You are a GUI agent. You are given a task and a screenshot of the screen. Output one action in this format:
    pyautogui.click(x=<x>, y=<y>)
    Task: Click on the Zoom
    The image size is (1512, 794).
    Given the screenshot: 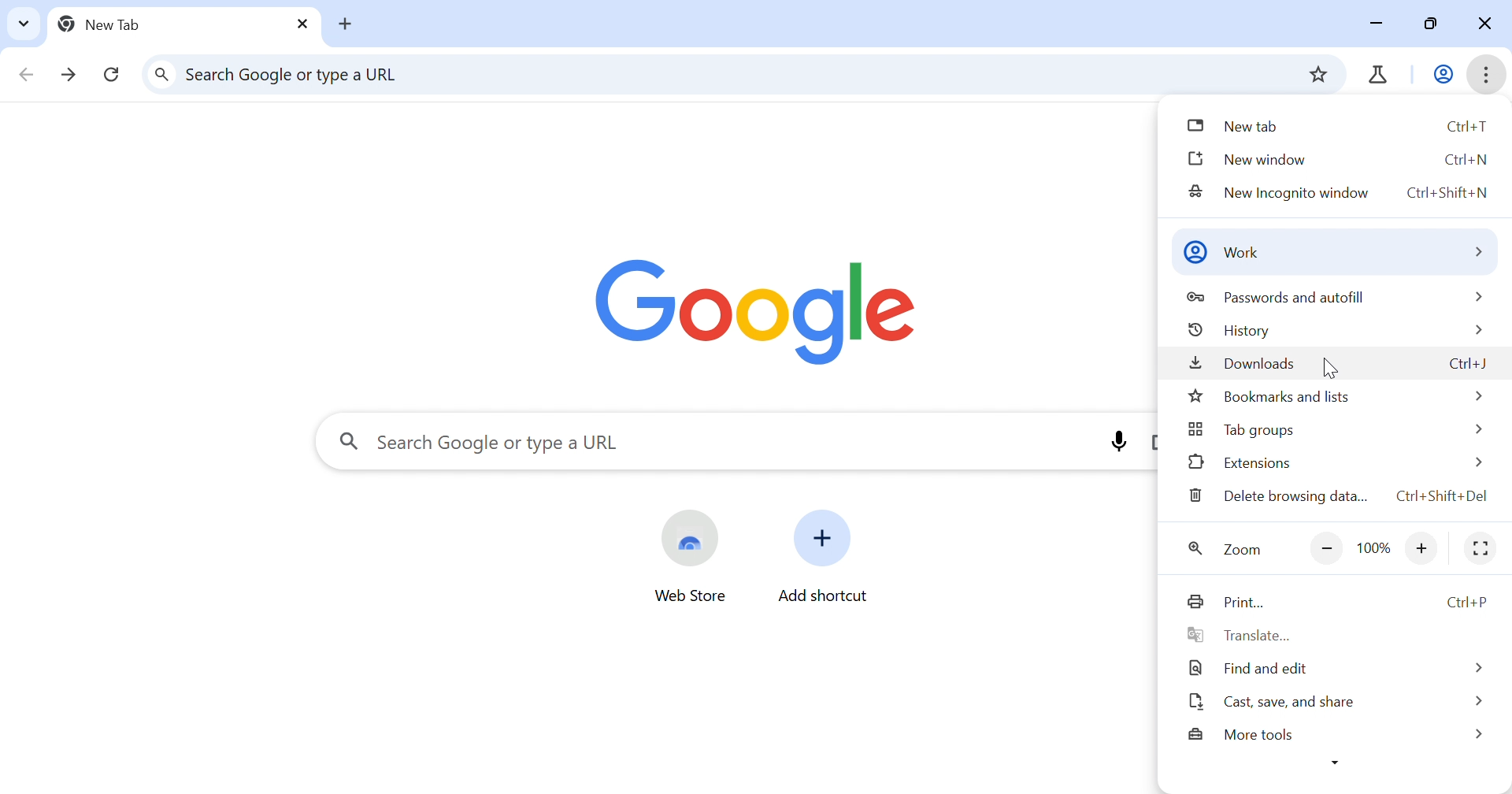 What is the action you would take?
    pyautogui.click(x=1227, y=551)
    